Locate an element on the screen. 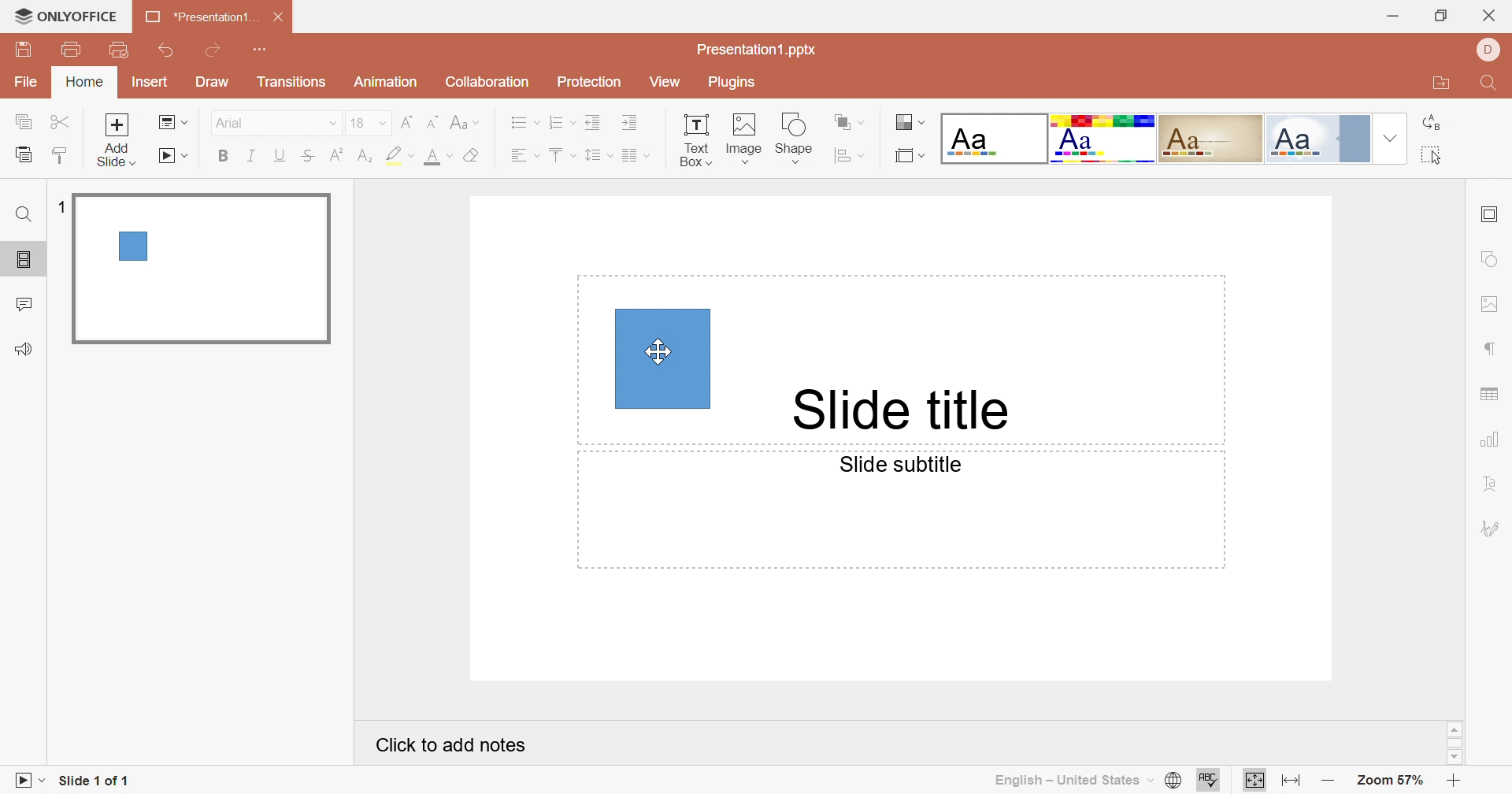 This screenshot has width=1512, height=794. Superscript is located at coordinates (337, 155).